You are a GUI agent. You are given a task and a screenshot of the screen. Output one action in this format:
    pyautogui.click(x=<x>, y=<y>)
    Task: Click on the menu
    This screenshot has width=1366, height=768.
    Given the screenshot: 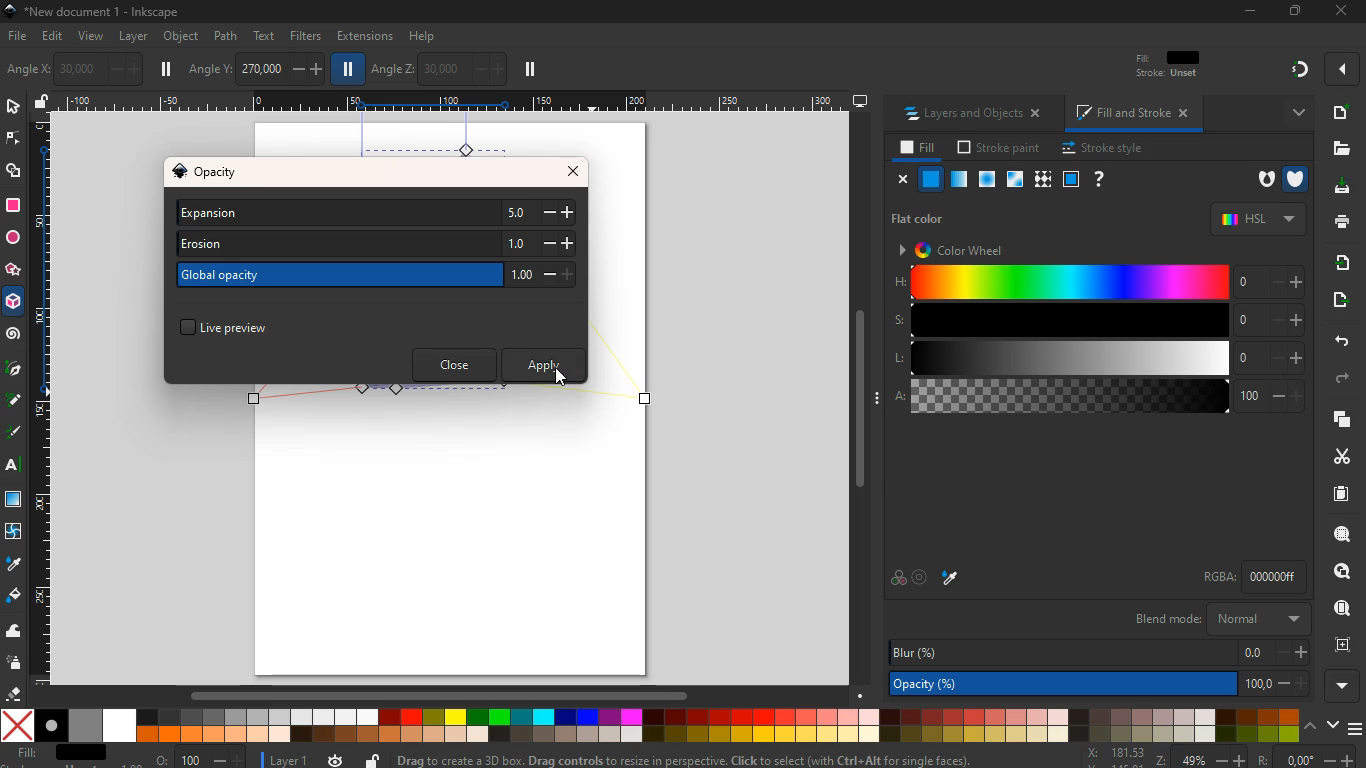 What is the action you would take?
    pyautogui.click(x=1354, y=724)
    